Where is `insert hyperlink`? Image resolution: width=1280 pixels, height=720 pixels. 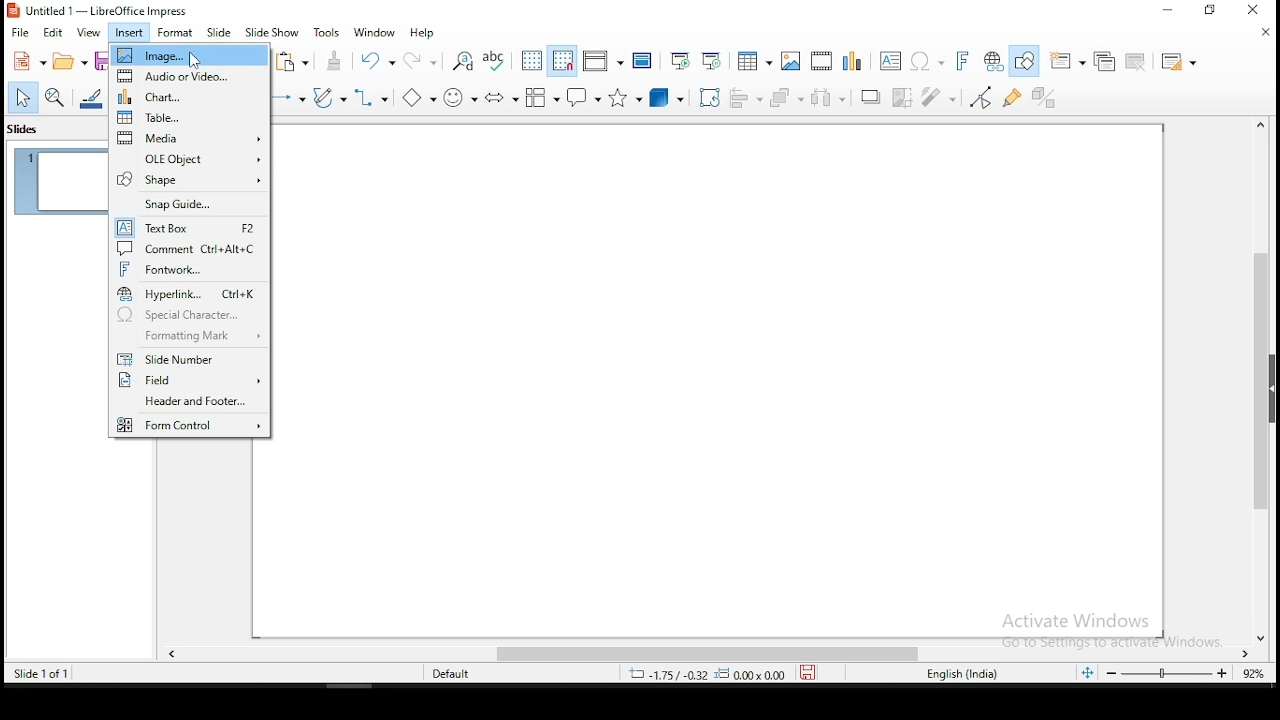 insert hyperlink is located at coordinates (995, 62).